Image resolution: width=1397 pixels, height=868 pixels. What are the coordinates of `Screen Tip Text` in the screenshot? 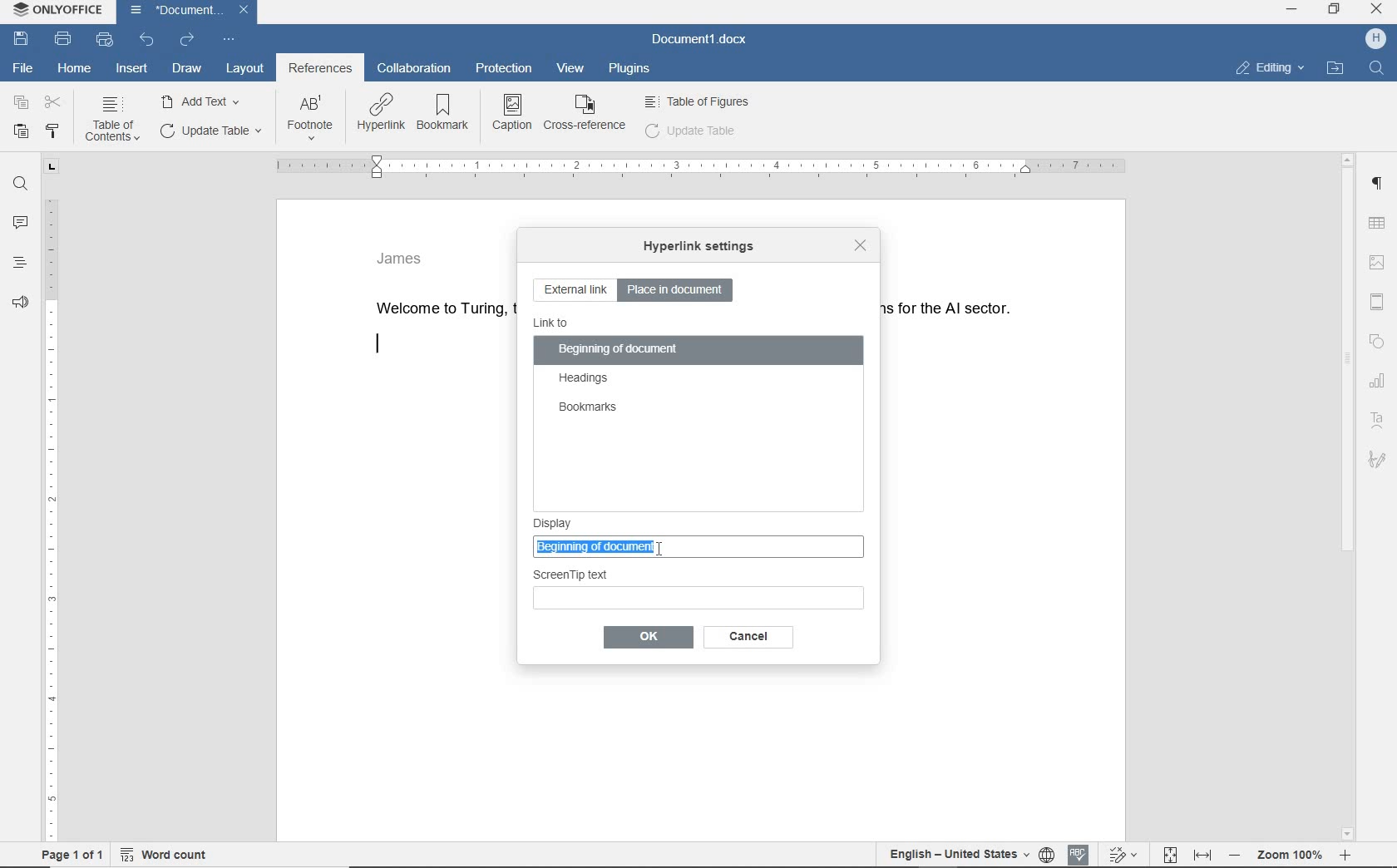 It's located at (699, 587).